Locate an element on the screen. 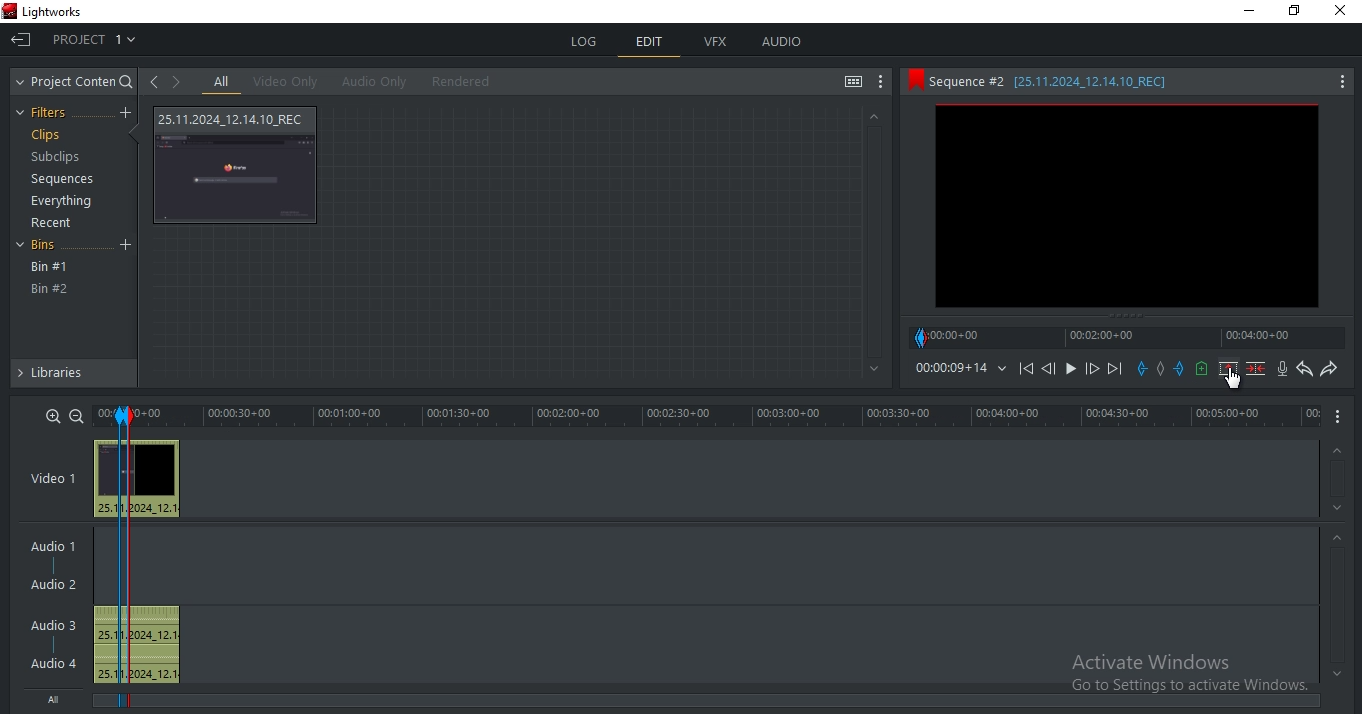  bin #2 is located at coordinates (50, 289).